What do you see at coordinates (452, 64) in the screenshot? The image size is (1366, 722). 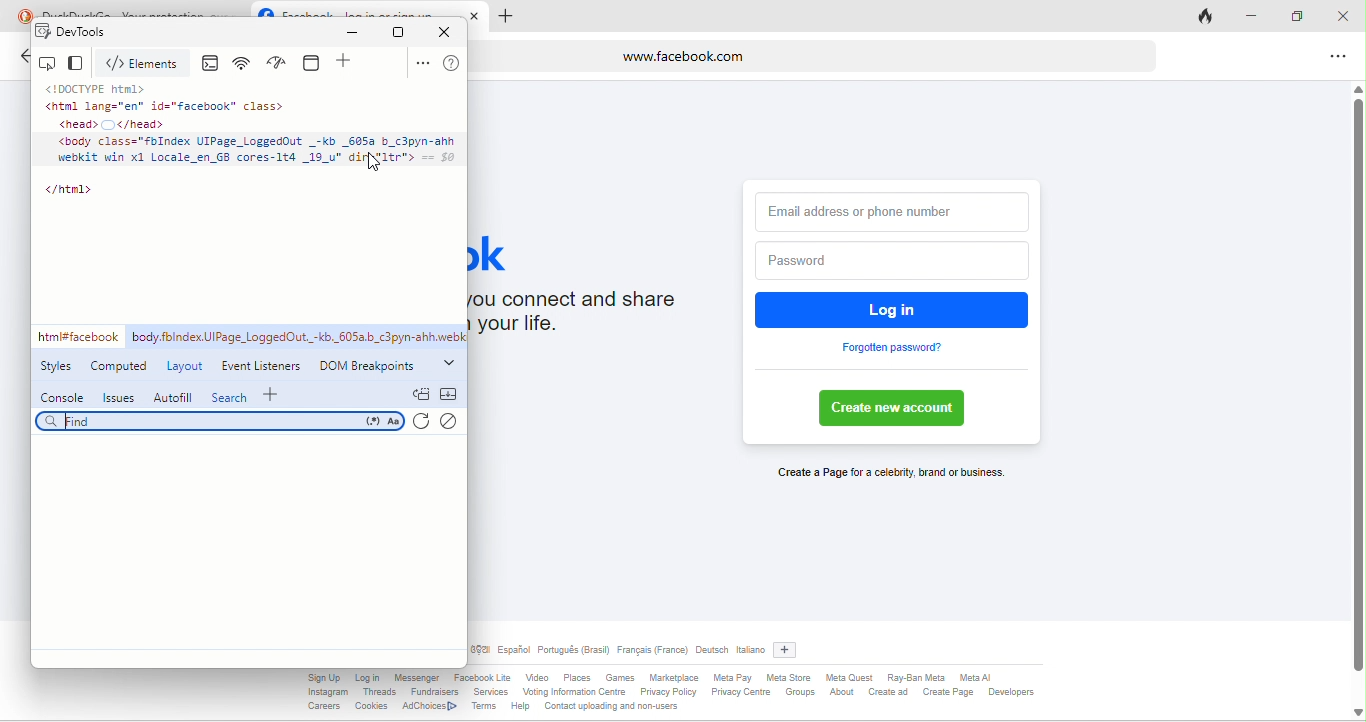 I see `help` at bounding box center [452, 64].